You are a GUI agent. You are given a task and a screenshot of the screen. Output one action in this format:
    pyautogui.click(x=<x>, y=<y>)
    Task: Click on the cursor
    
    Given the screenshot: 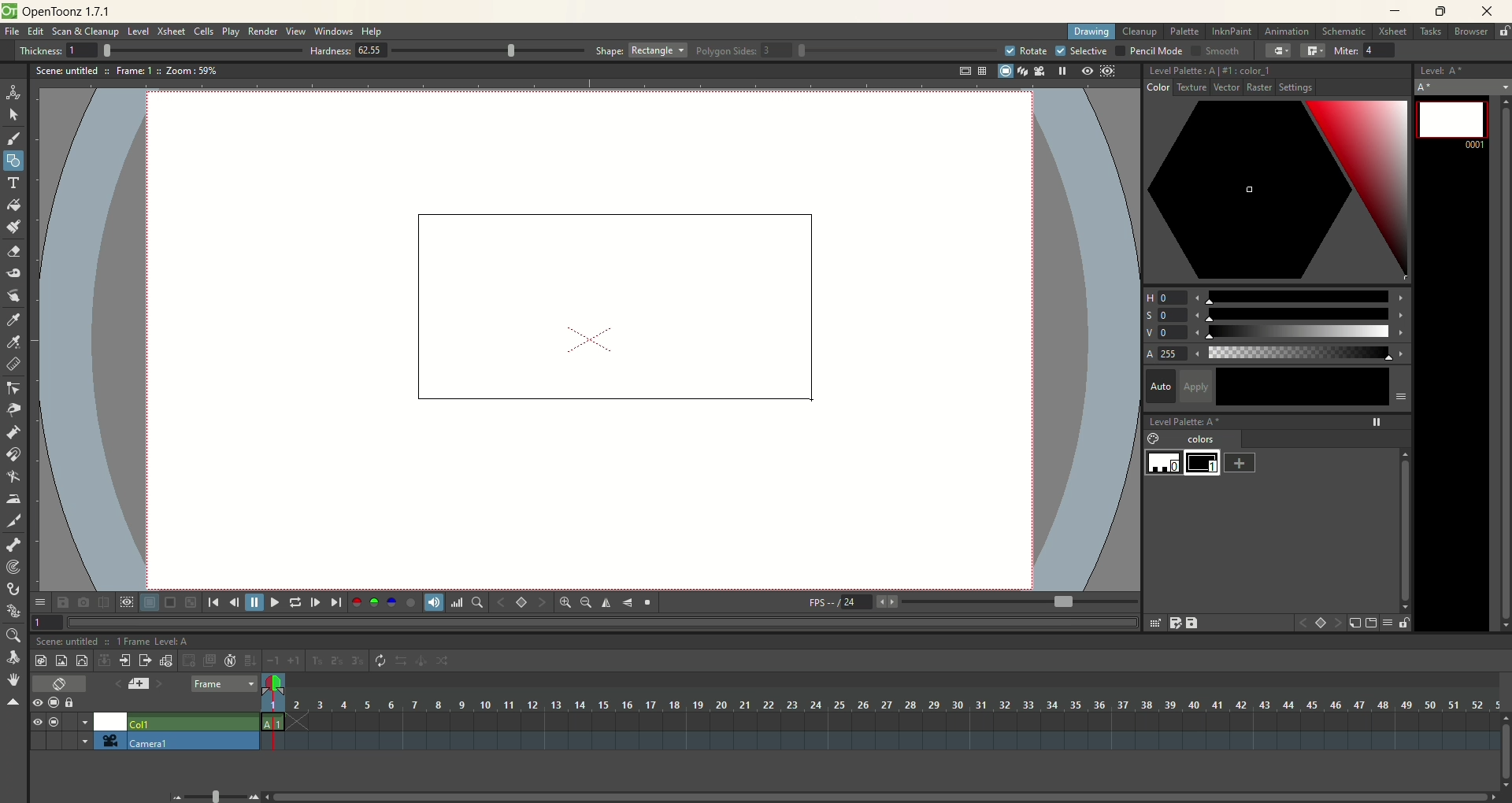 What is the action you would take?
    pyautogui.click(x=816, y=400)
    